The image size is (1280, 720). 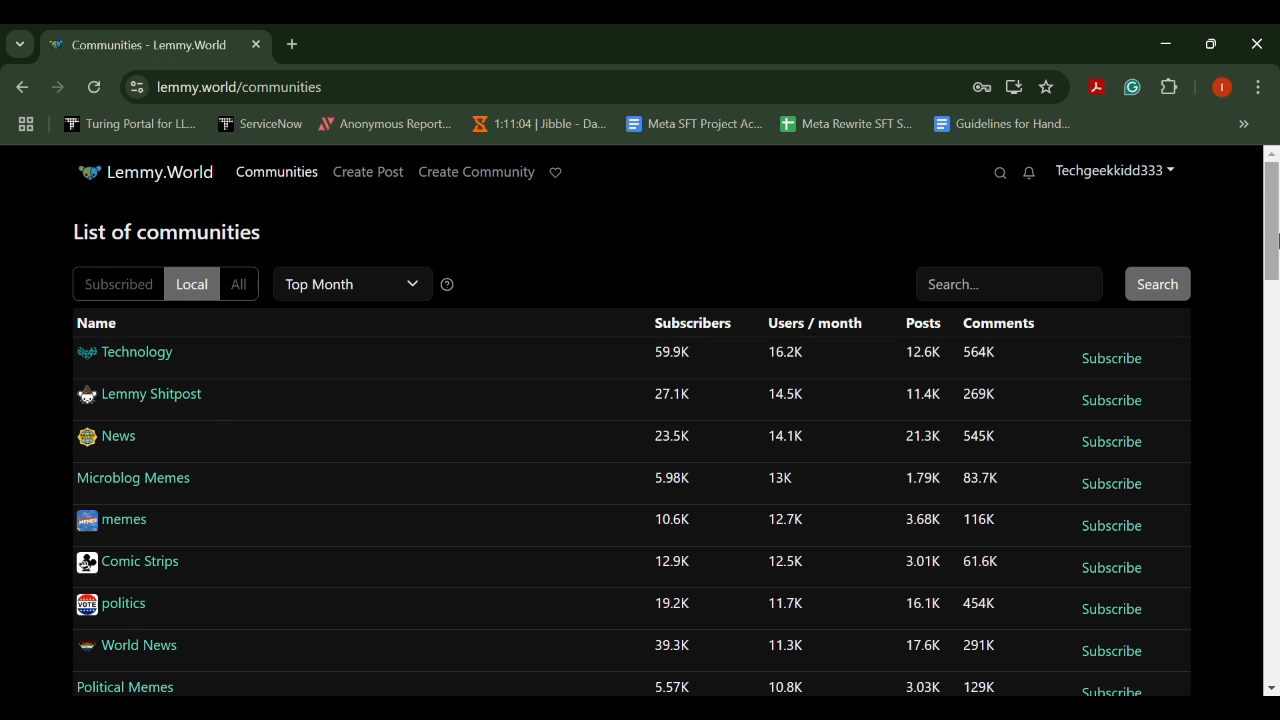 What do you see at coordinates (924, 687) in the screenshot?
I see `3.03K` at bounding box center [924, 687].